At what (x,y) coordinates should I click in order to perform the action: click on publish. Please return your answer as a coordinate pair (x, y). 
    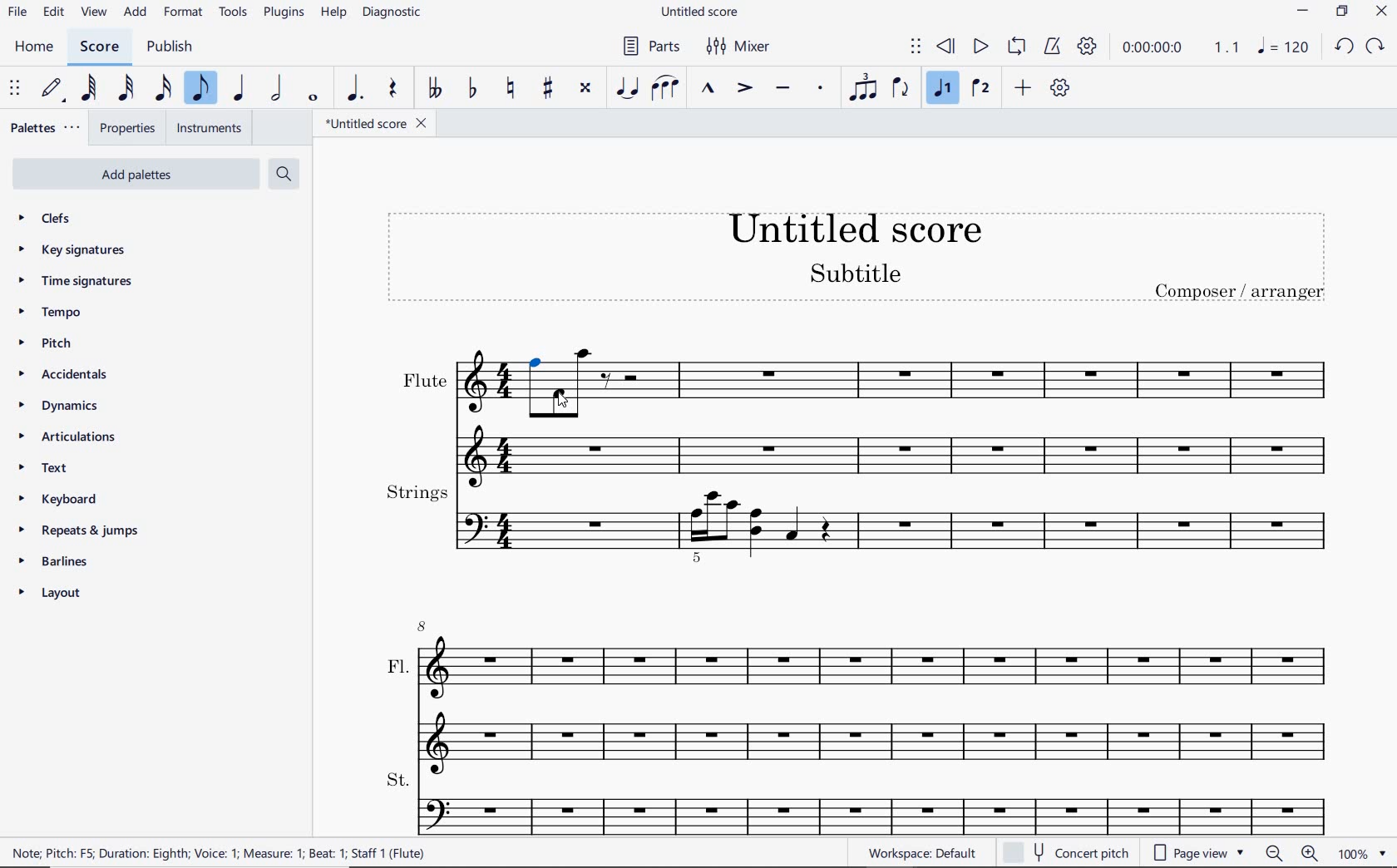
    Looking at the image, I should click on (169, 47).